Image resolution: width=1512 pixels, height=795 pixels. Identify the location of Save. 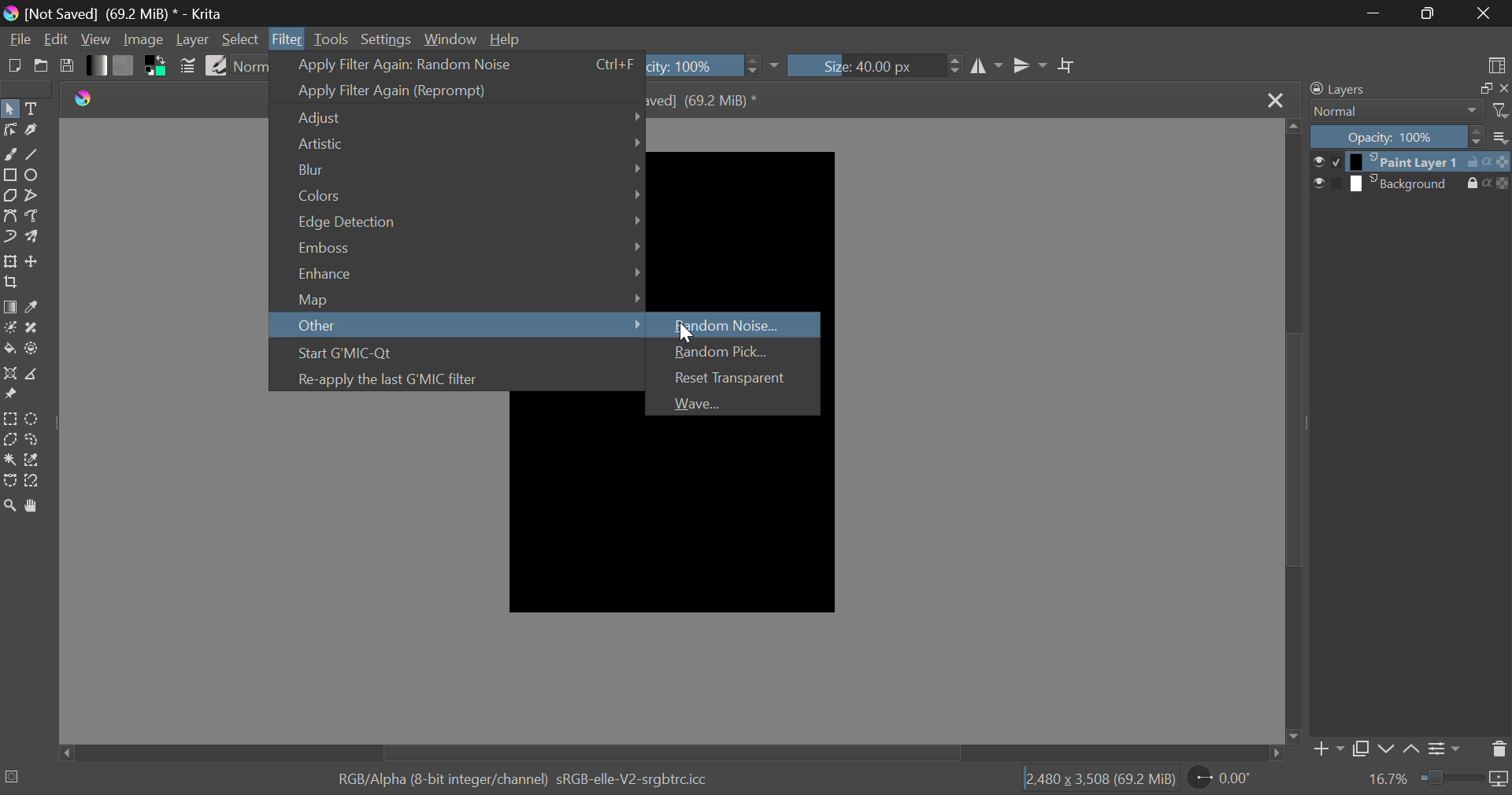
(68, 67).